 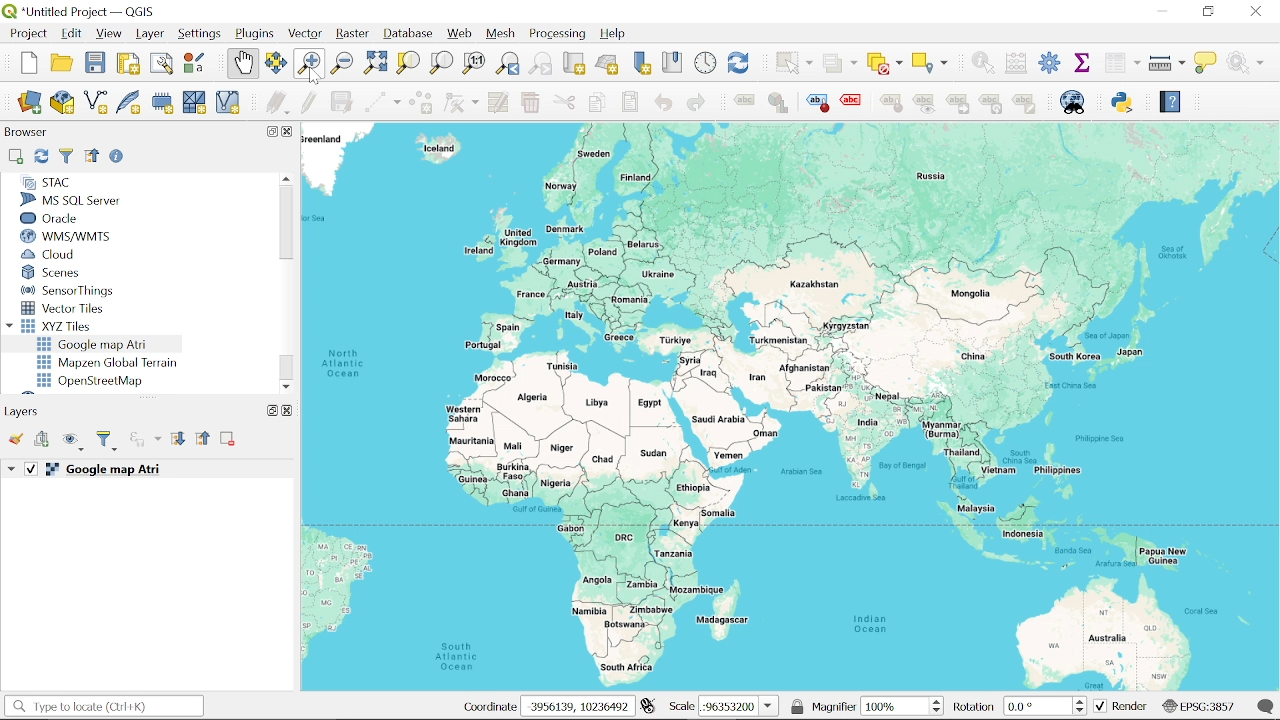 What do you see at coordinates (268, 410) in the screenshot?
I see `Restore down` at bounding box center [268, 410].